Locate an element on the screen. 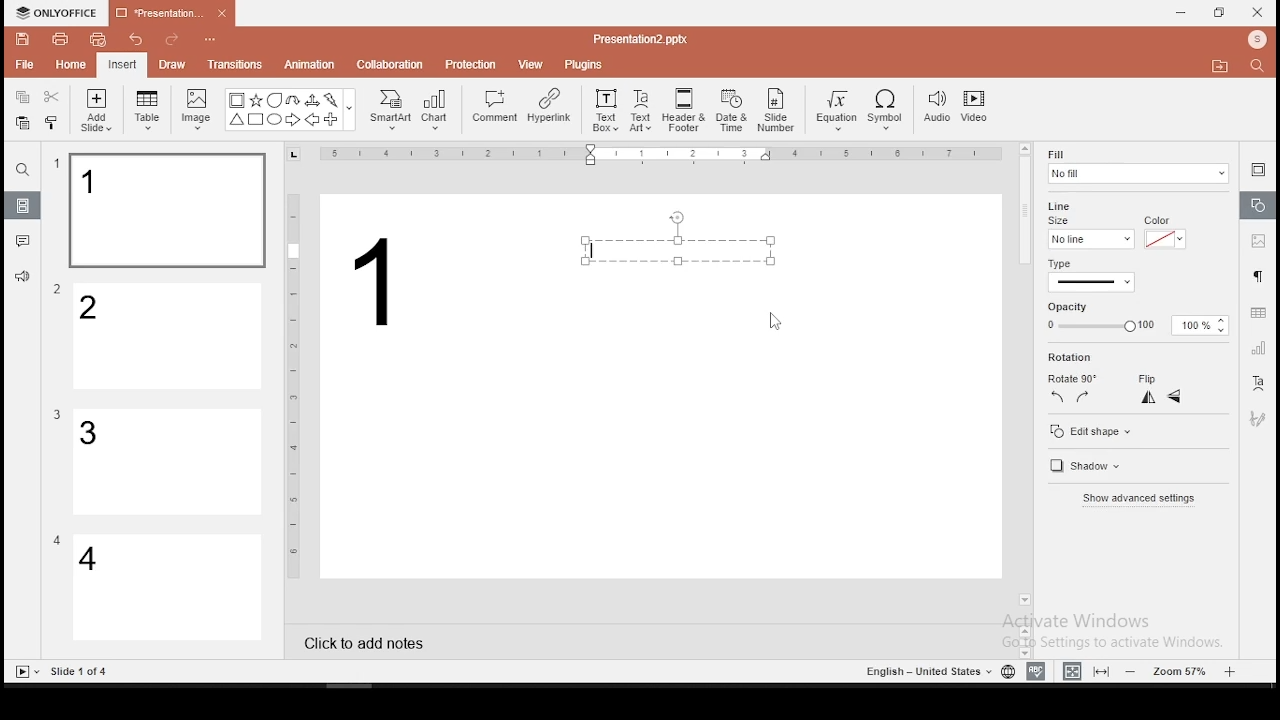 The width and height of the screenshot is (1280, 720). U Arrow is located at coordinates (294, 100).